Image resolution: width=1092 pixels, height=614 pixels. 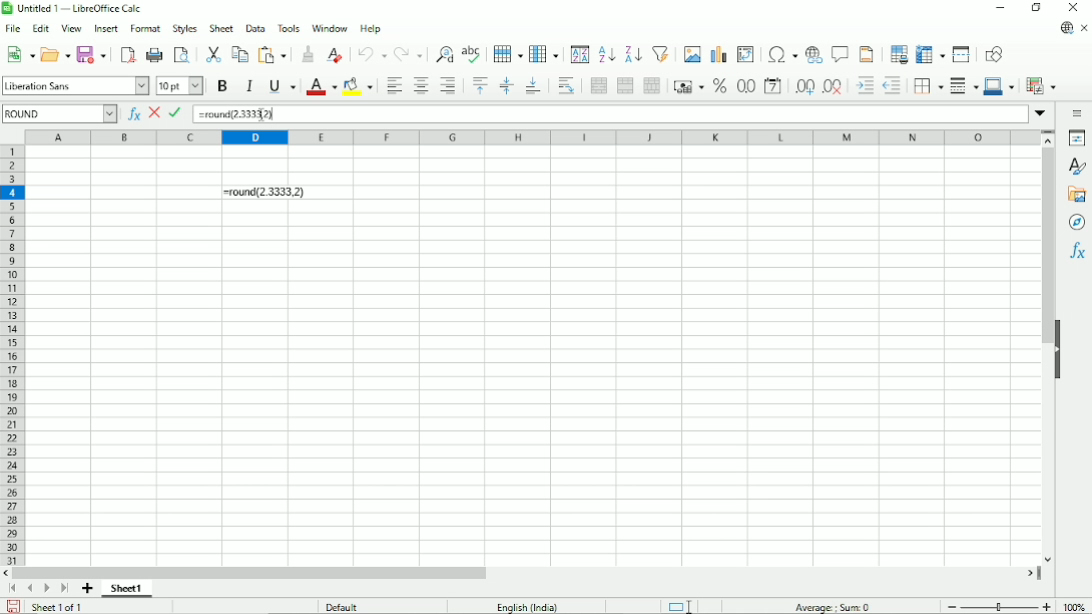 What do you see at coordinates (655, 85) in the screenshot?
I see `Unmerge cells` at bounding box center [655, 85].